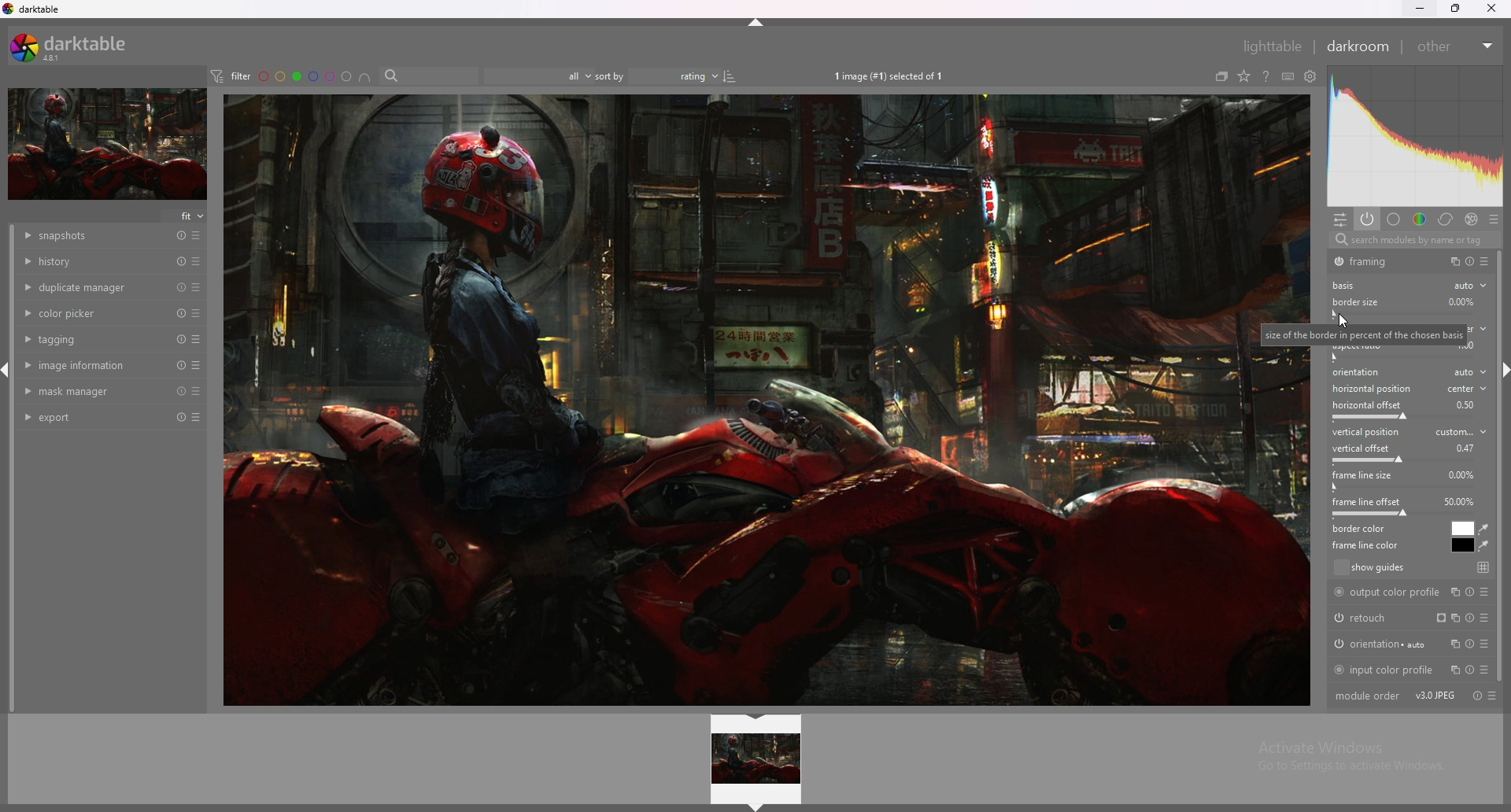 The width and height of the screenshot is (1511, 812). Describe the element at coordinates (1410, 643) in the screenshot. I see `orientation` at that location.